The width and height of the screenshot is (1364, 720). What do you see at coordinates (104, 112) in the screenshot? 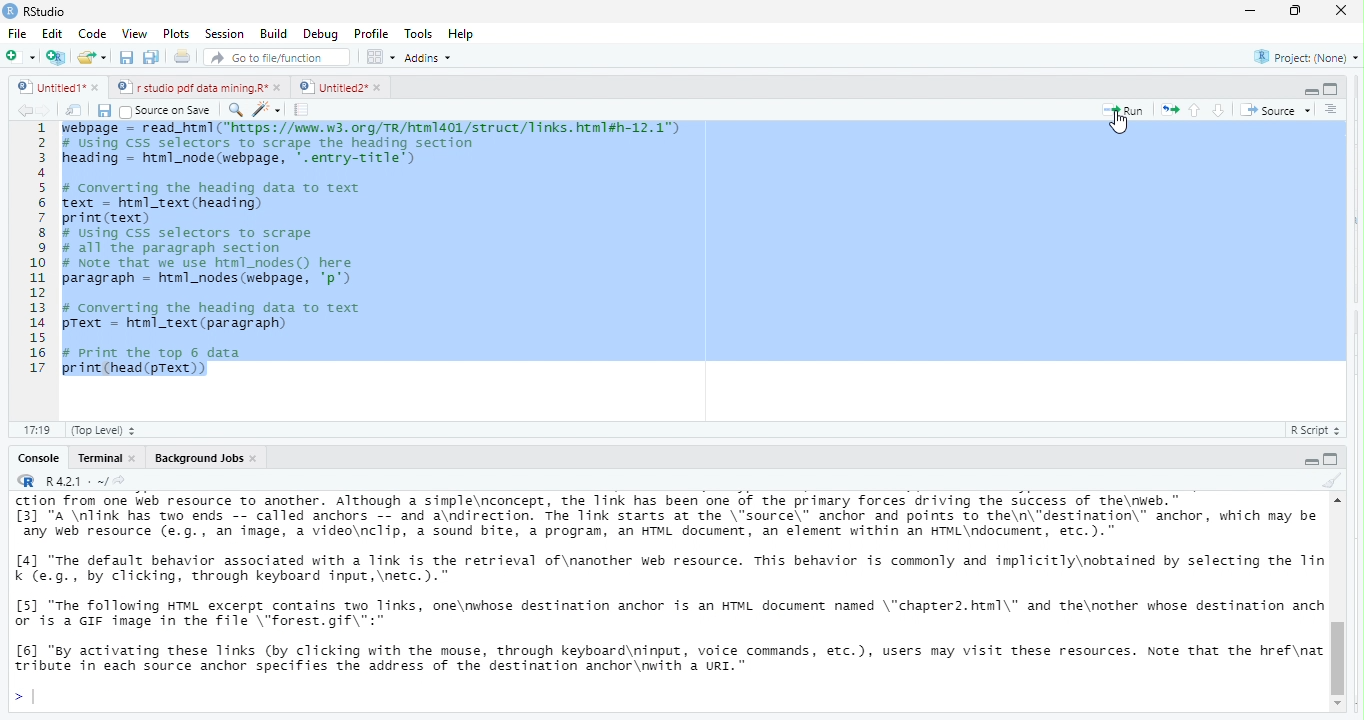
I see `save current document` at bounding box center [104, 112].